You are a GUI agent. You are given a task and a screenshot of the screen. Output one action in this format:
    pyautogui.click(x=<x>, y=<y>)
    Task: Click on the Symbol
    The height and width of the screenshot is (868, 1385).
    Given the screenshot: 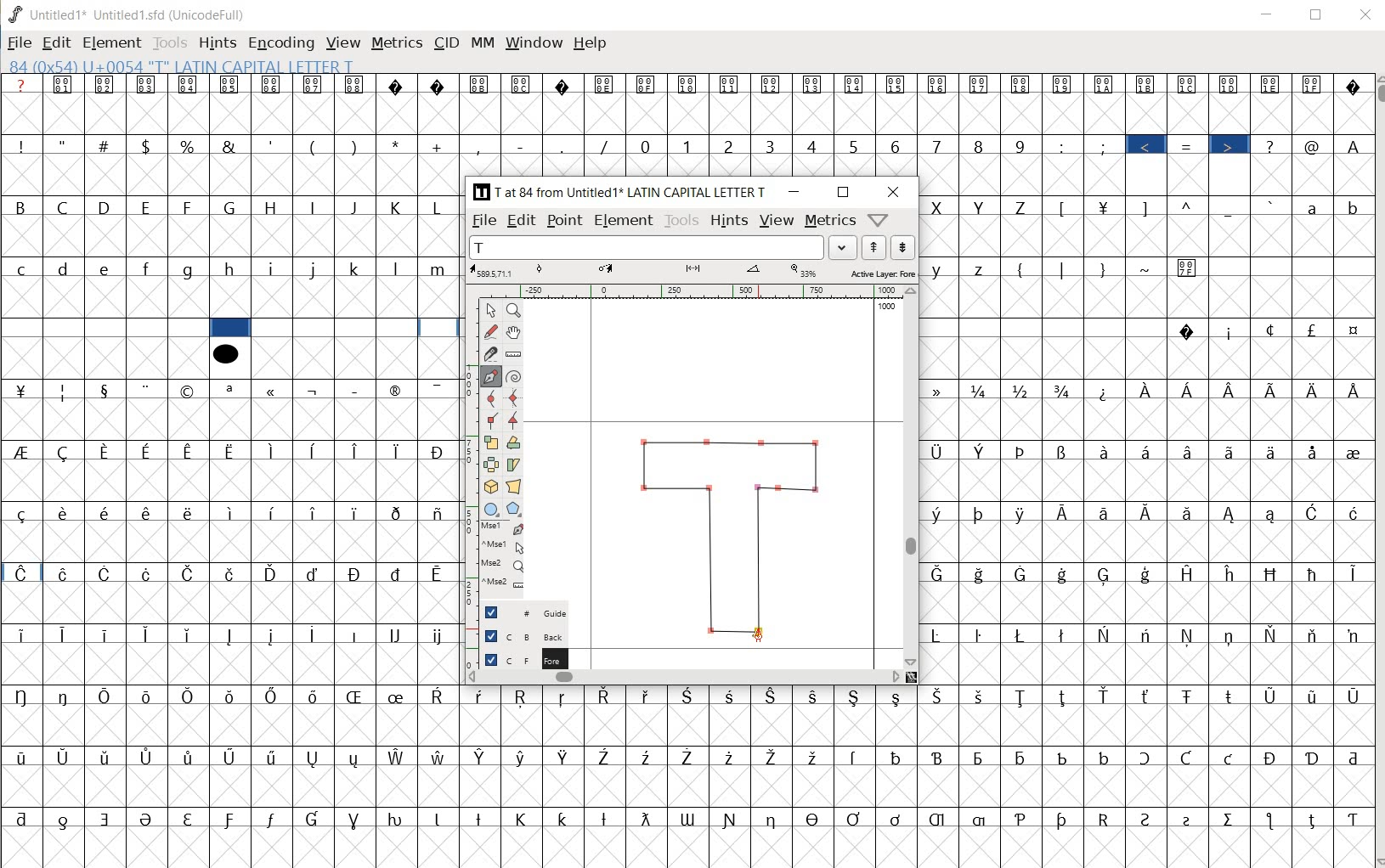 What is the action you would take?
    pyautogui.click(x=1021, y=817)
    